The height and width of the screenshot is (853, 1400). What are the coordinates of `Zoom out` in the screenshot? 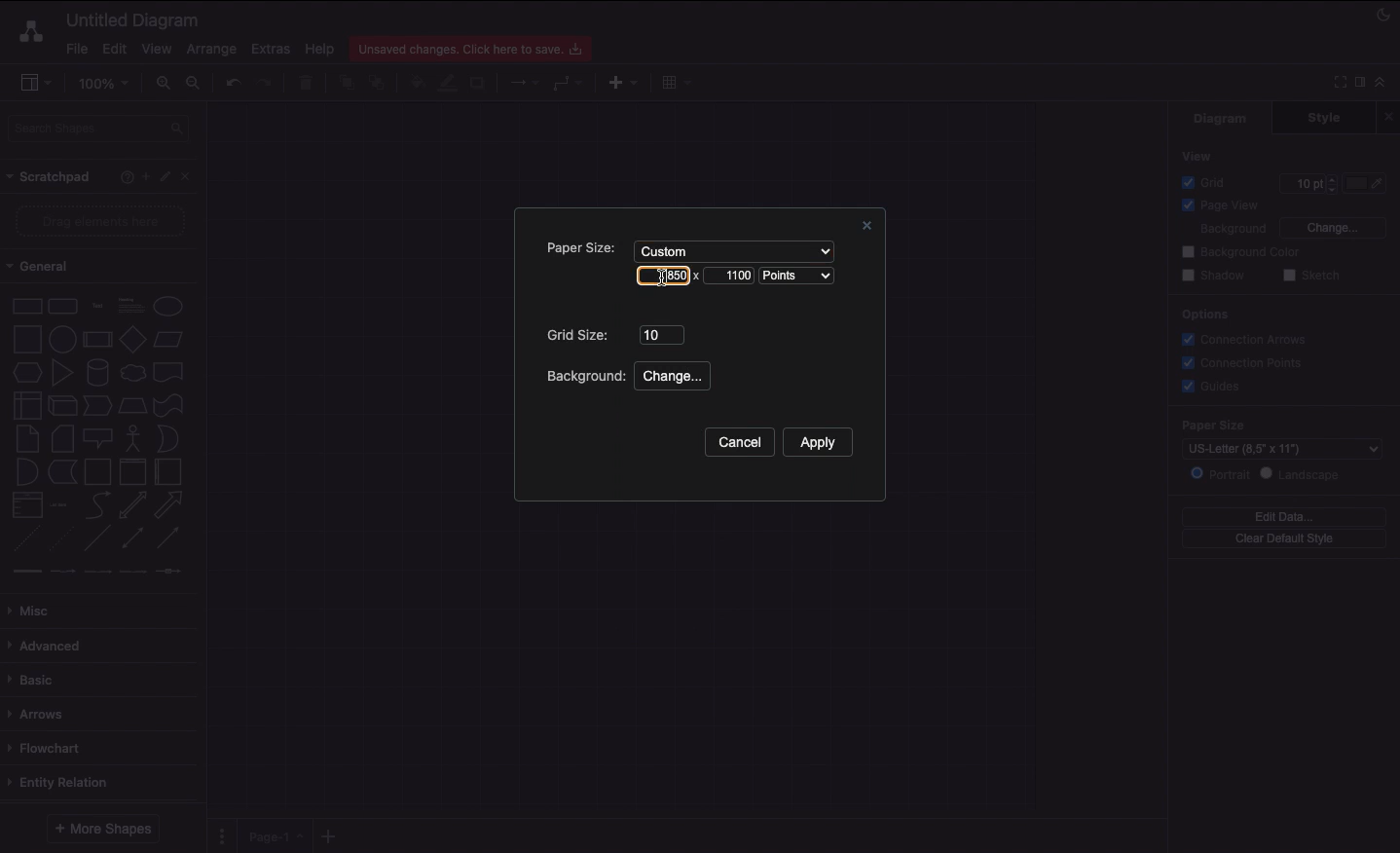 It's located at (196, 85).